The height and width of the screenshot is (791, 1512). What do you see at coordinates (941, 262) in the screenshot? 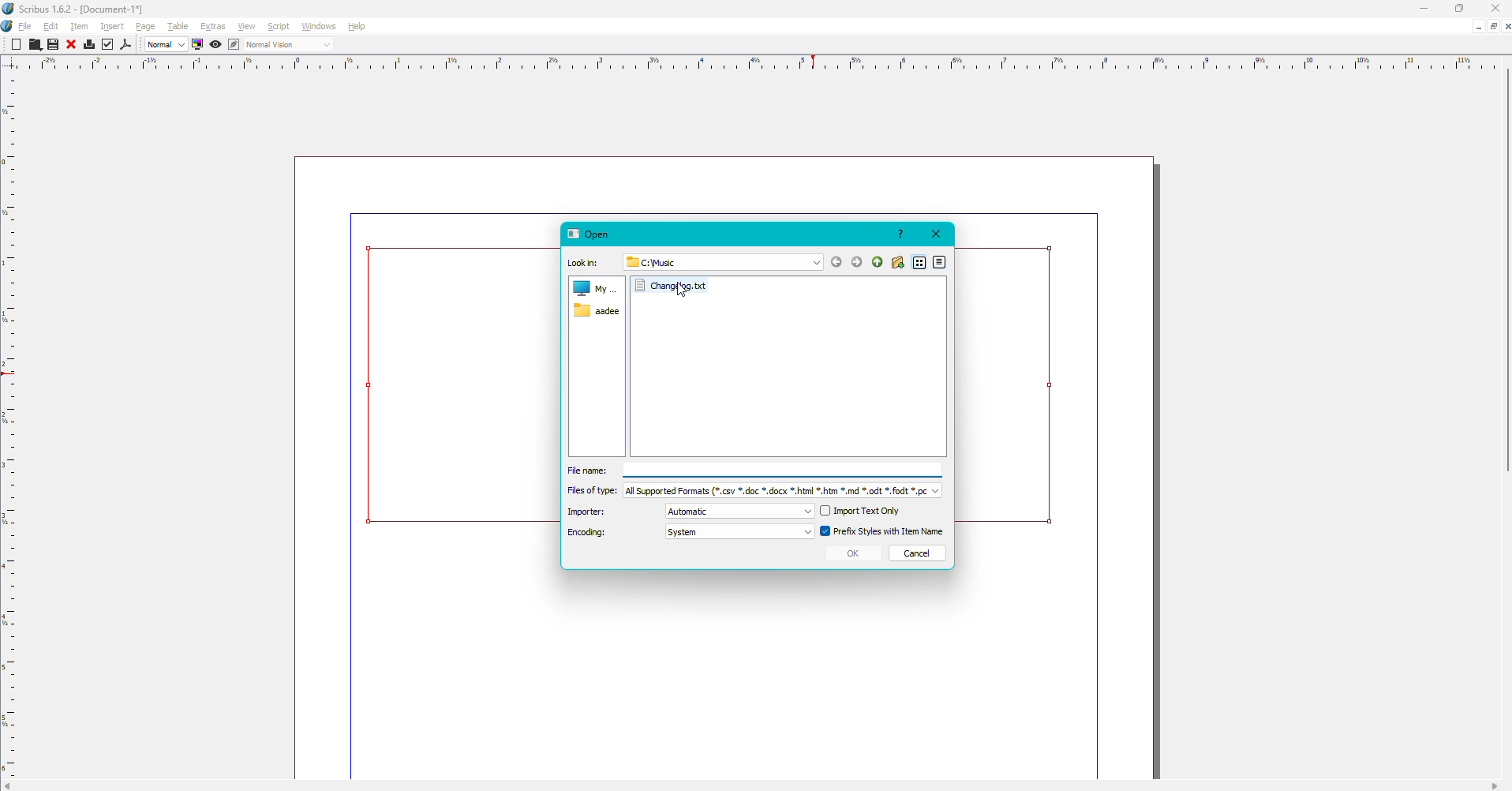
I see `more options` at bounding box center [941, 262].